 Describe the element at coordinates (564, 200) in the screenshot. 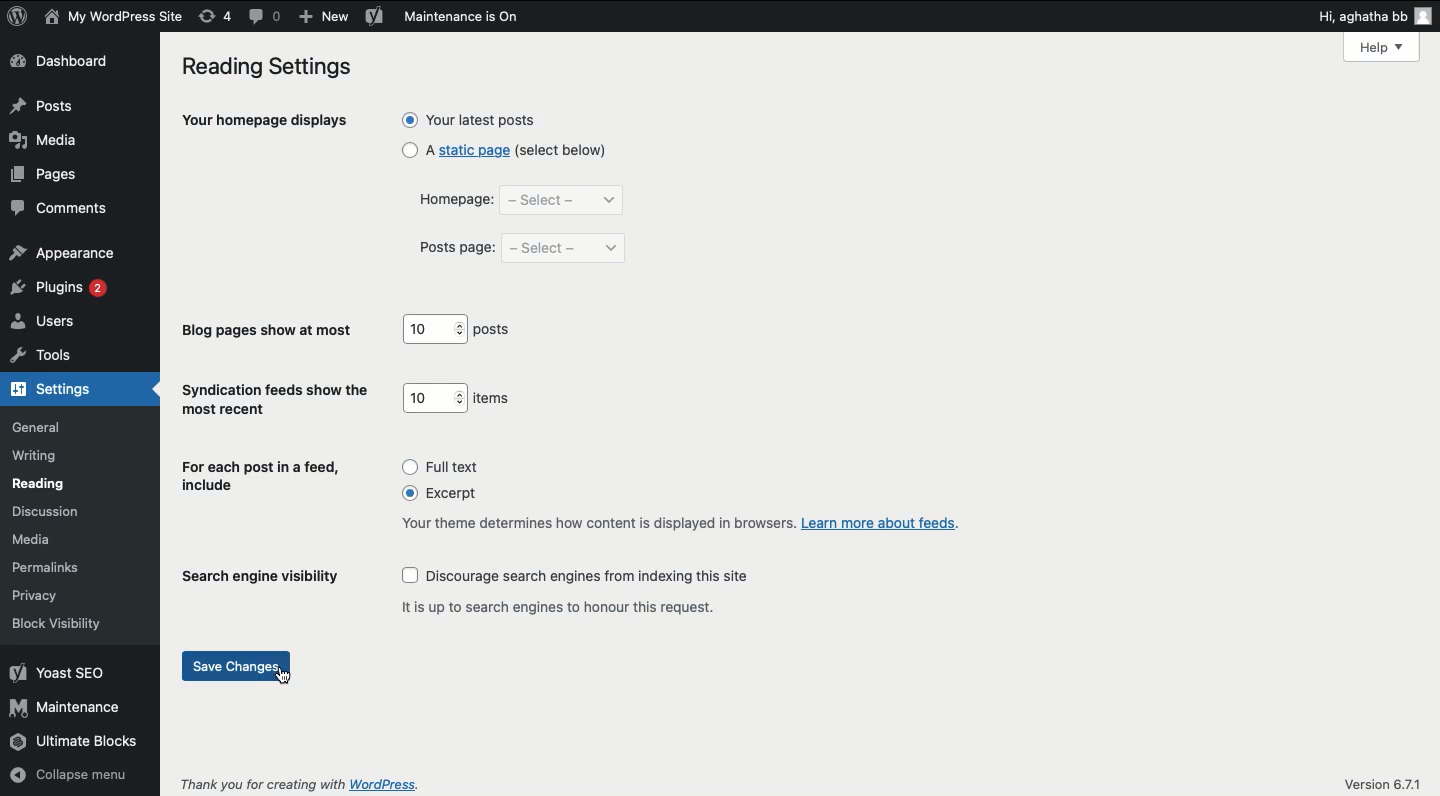

I see `select` at that location.